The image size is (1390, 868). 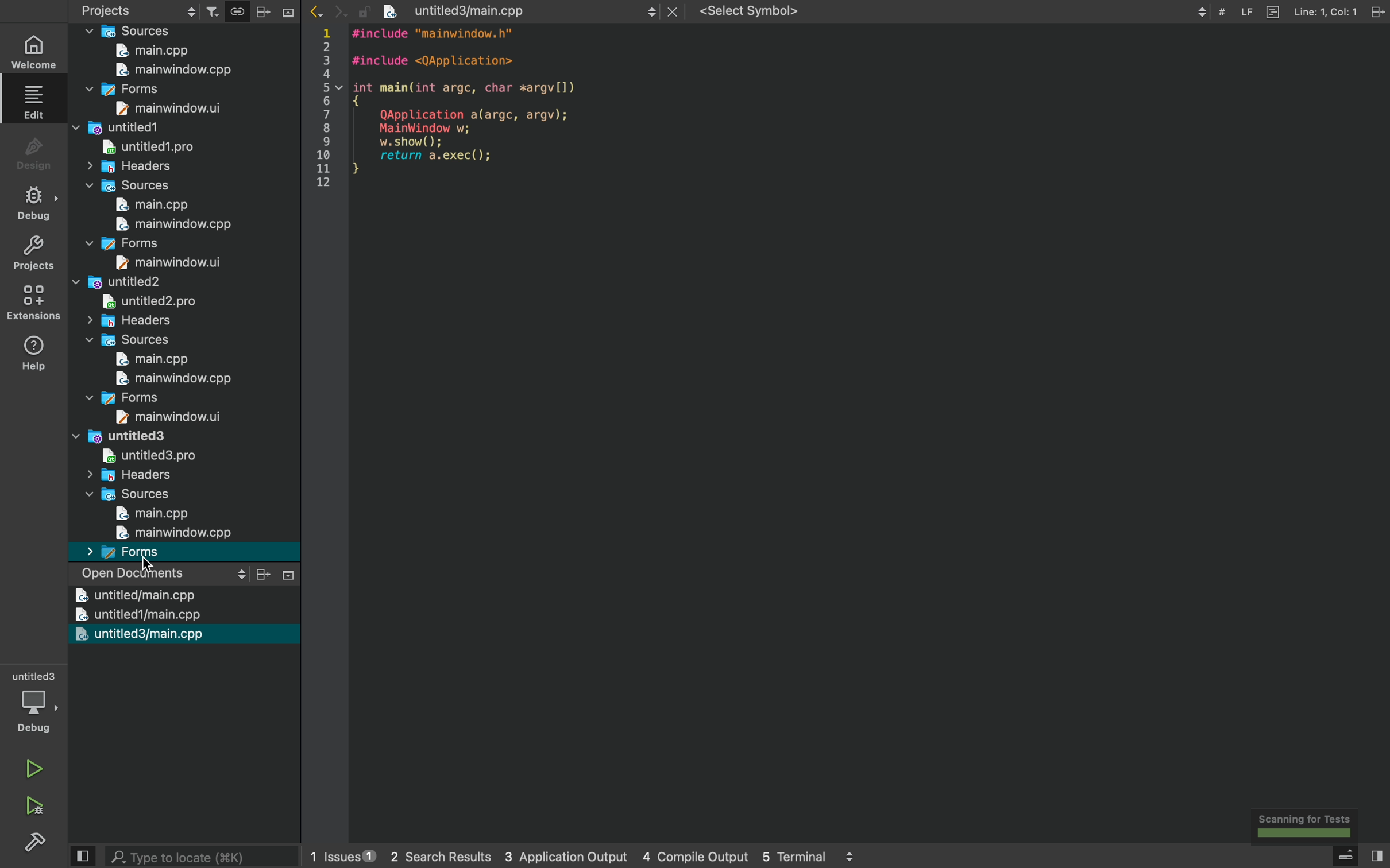 What do you see at coordinates (190, 574) in the screenshot?
I see `open documents` at bounding box center [190, 574].